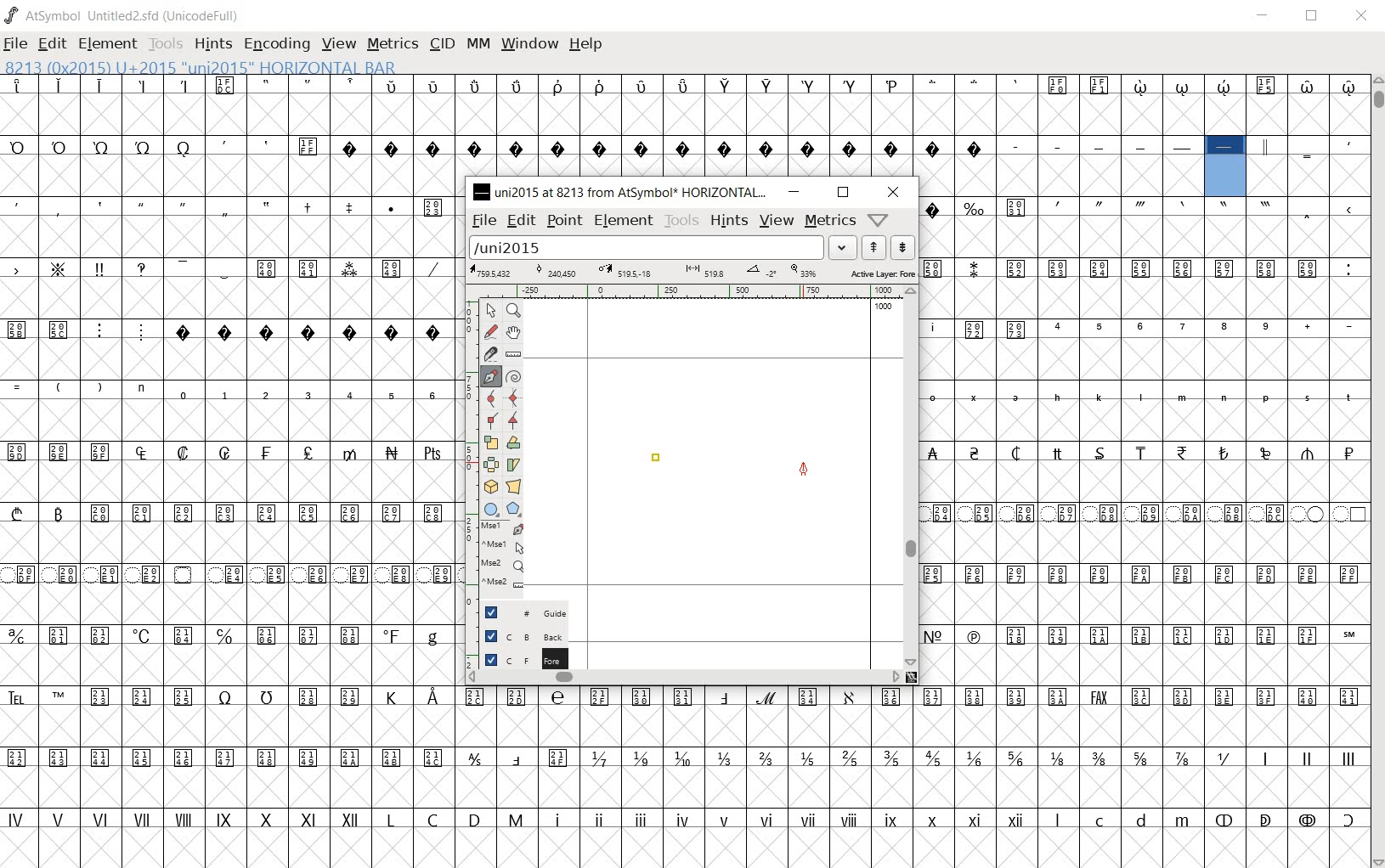 Image resolution: width=1385 pixels, height=868 pixels. I want to click on add a curve point always either horizontal or vertical, so click(512, 398).